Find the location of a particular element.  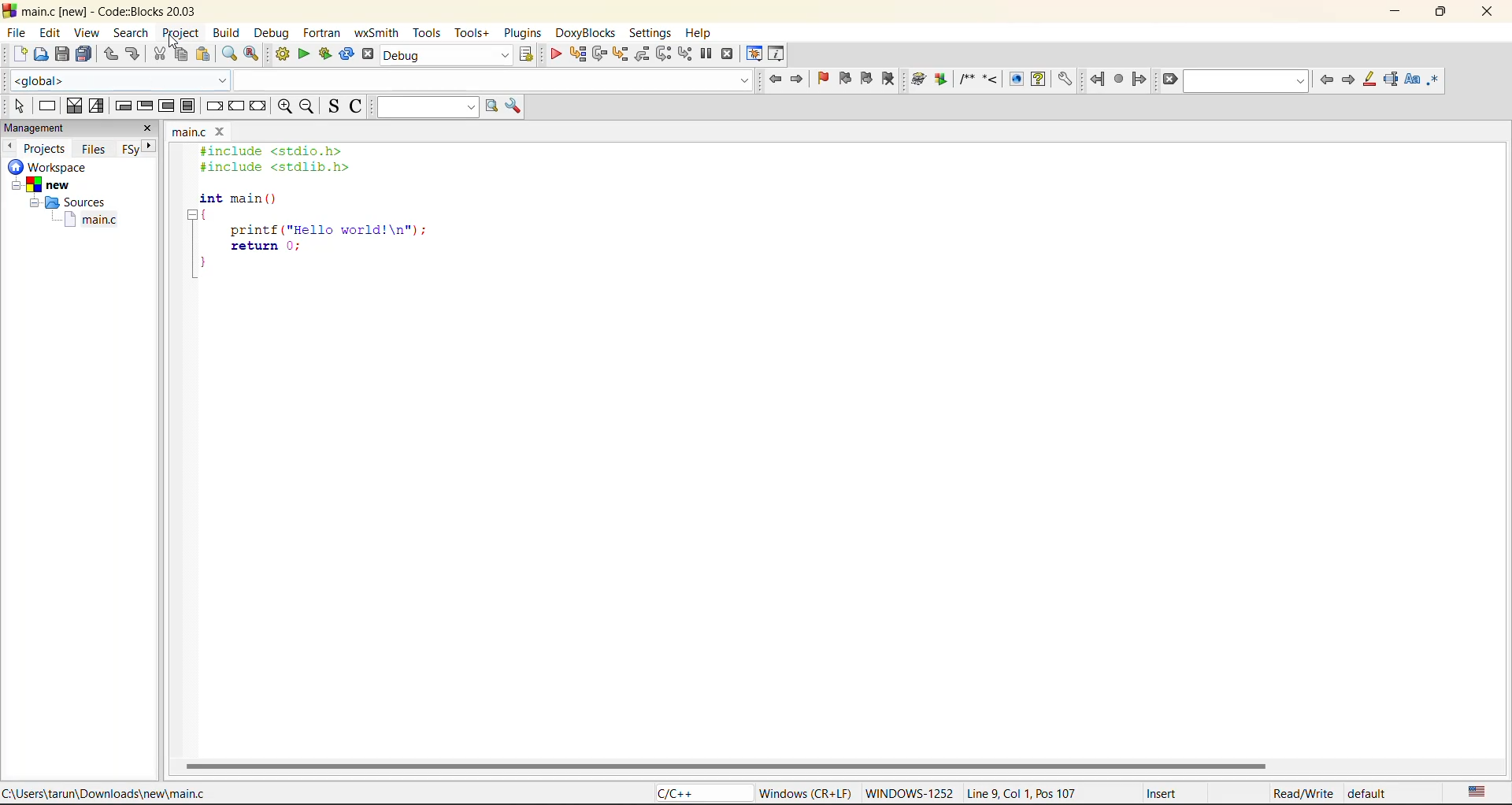

match case is located at coordinates (1412, 81).